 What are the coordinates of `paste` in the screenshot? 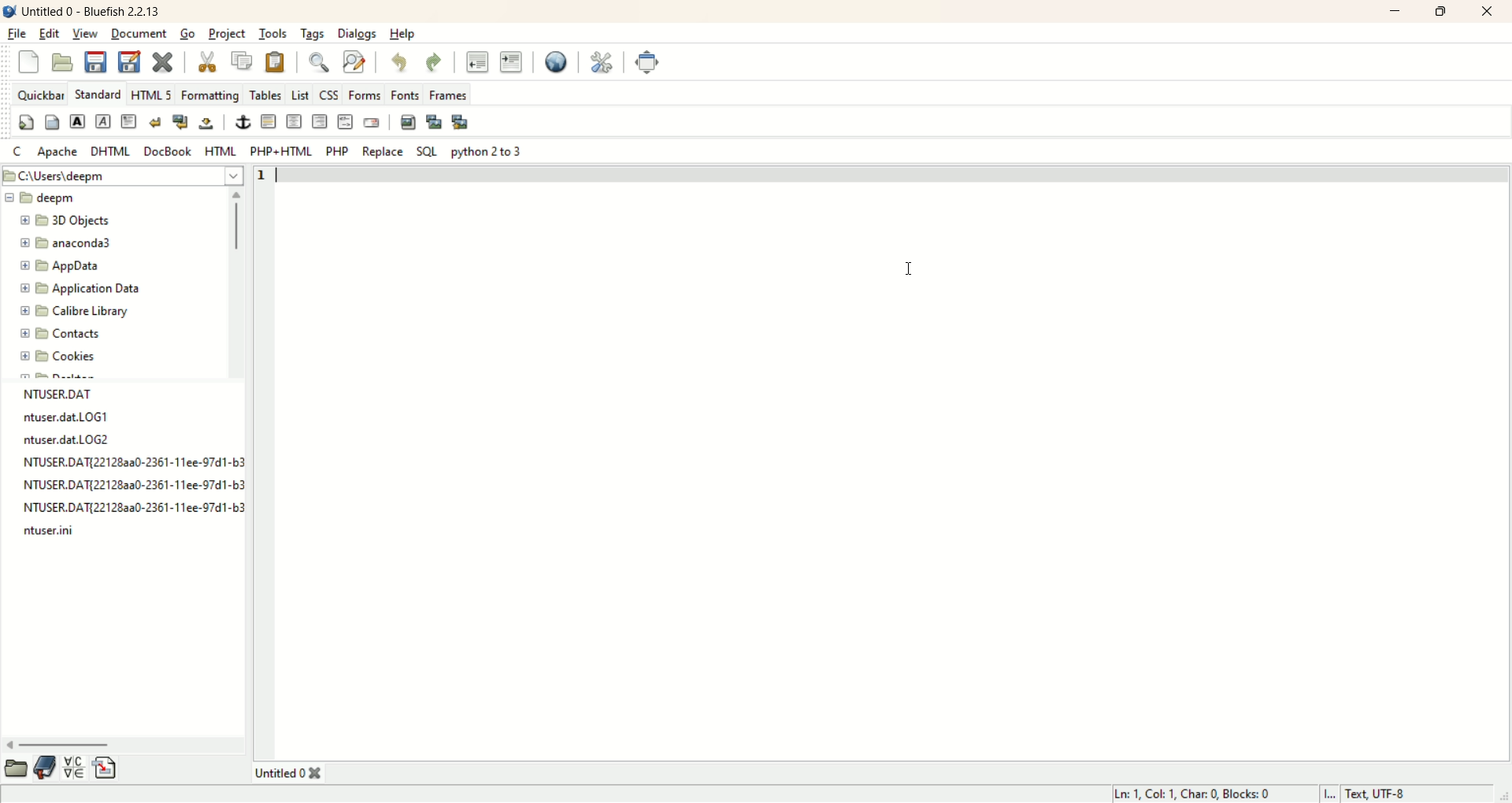 It's located at (275, 63).